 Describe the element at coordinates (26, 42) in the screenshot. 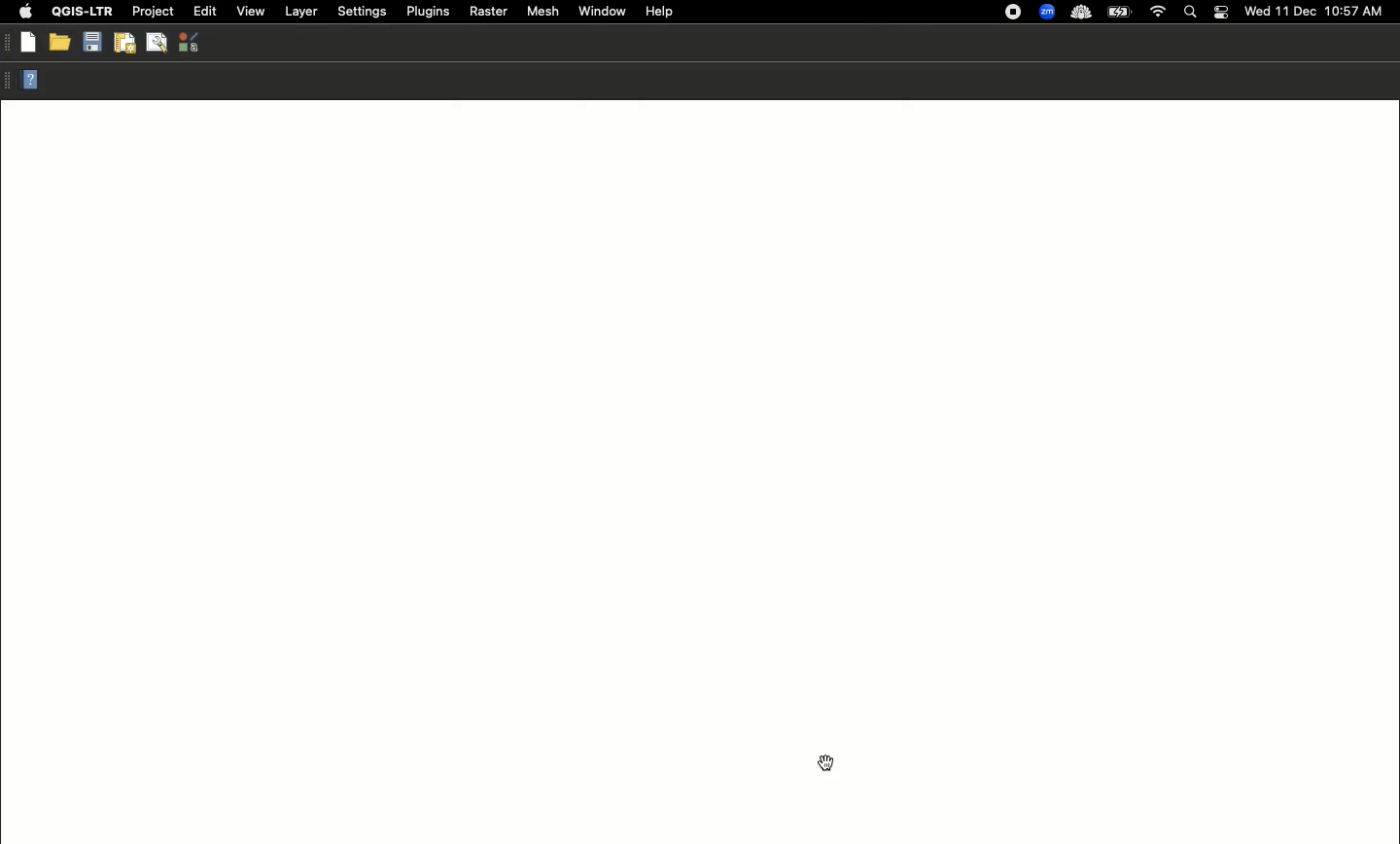

I see `new file` at that location.